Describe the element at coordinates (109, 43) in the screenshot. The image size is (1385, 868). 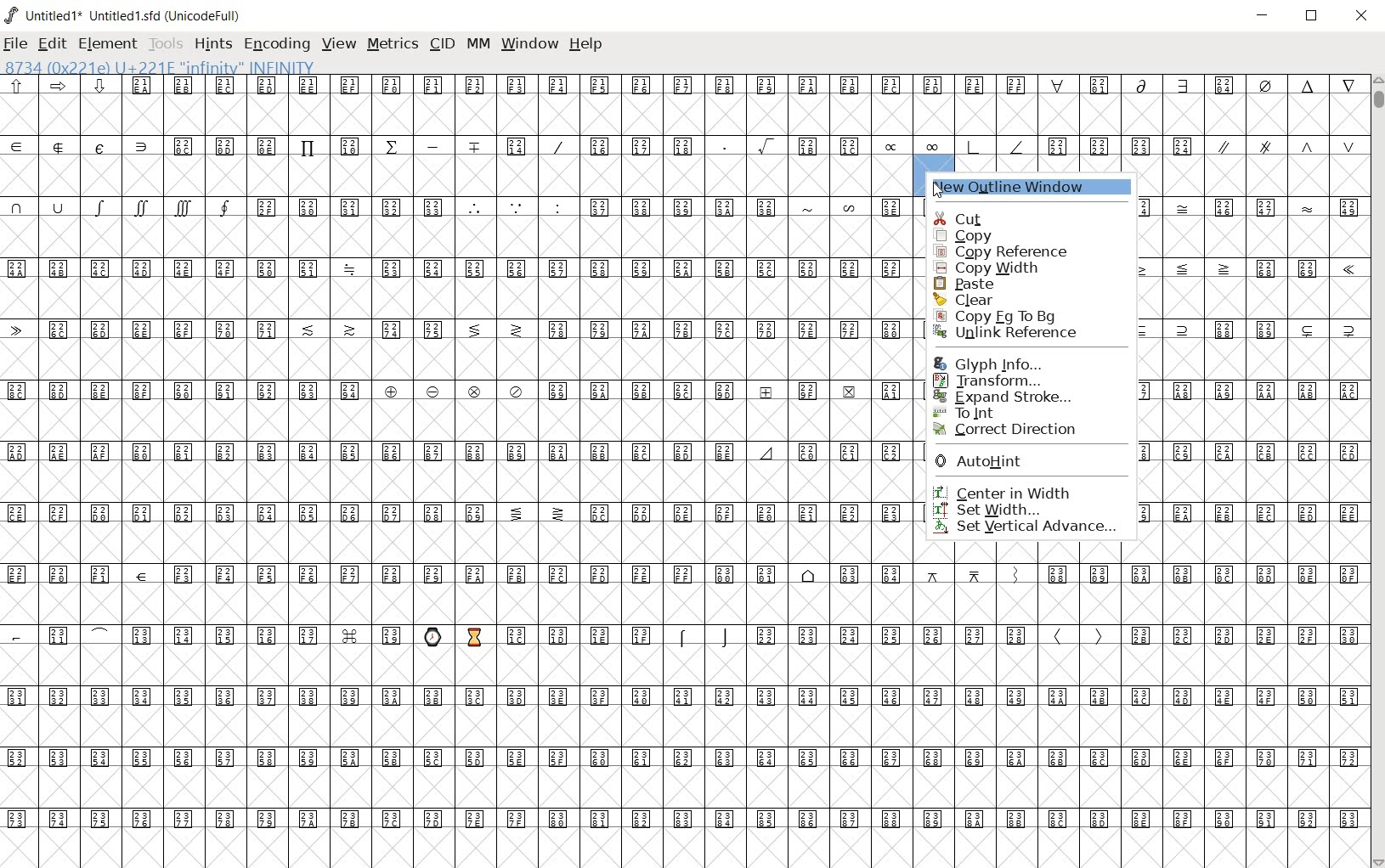
I see `element` at that location.